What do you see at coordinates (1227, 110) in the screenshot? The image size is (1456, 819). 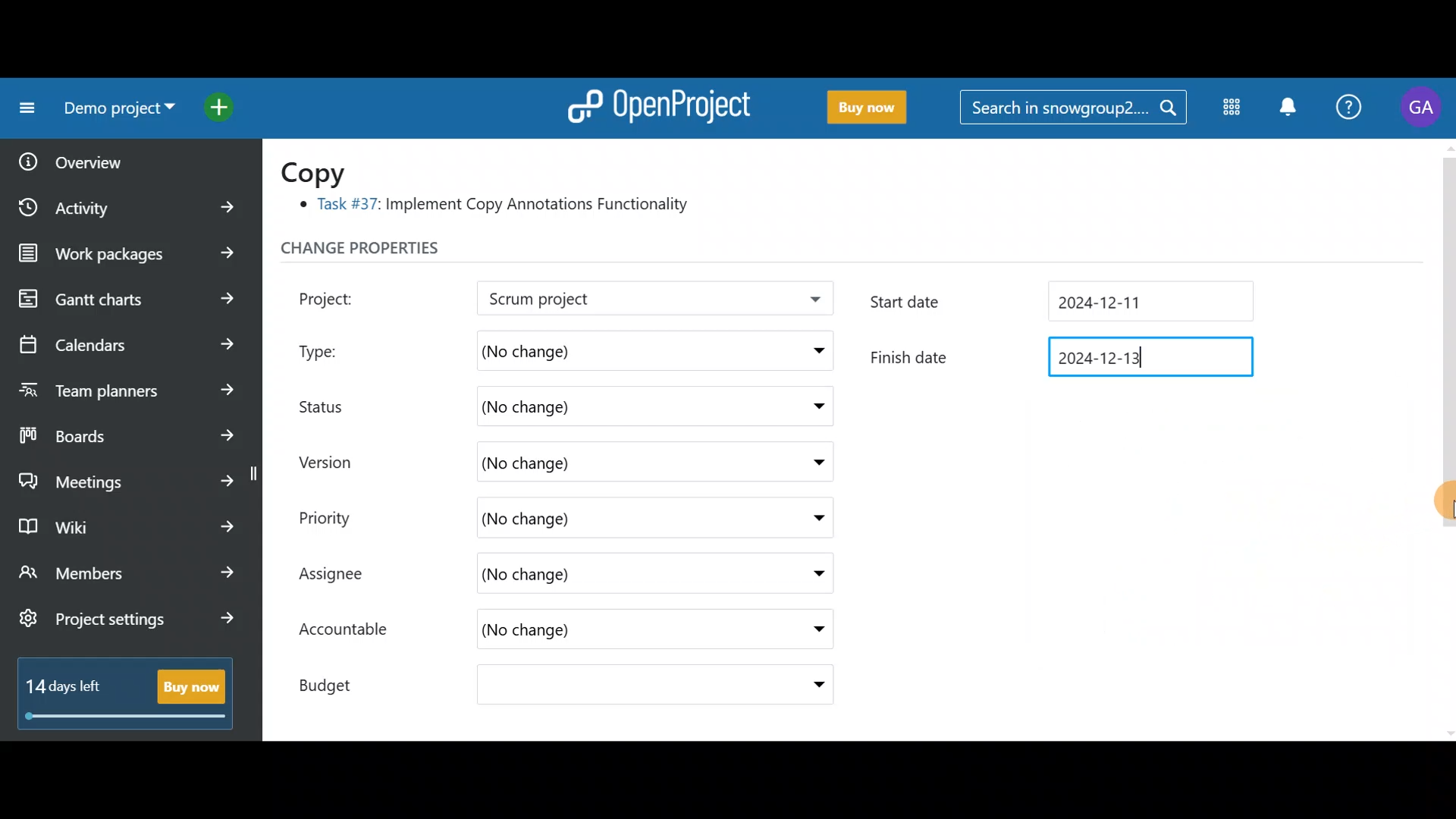 I see `Modules` at bounding box center [1227, 110].